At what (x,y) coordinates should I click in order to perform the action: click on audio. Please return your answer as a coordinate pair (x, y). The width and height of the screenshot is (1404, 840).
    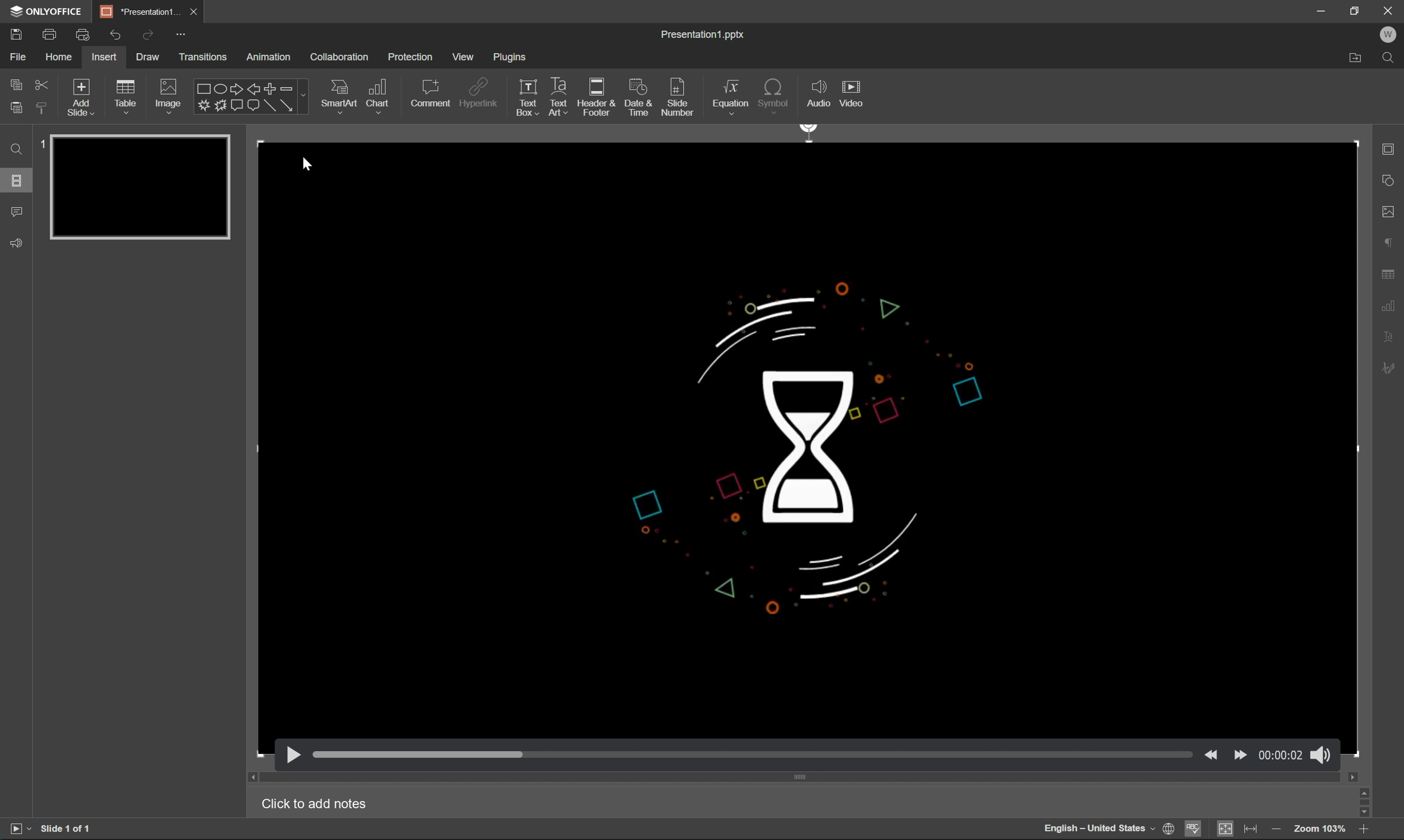
    Looking at the image, I should click on (820, 94).